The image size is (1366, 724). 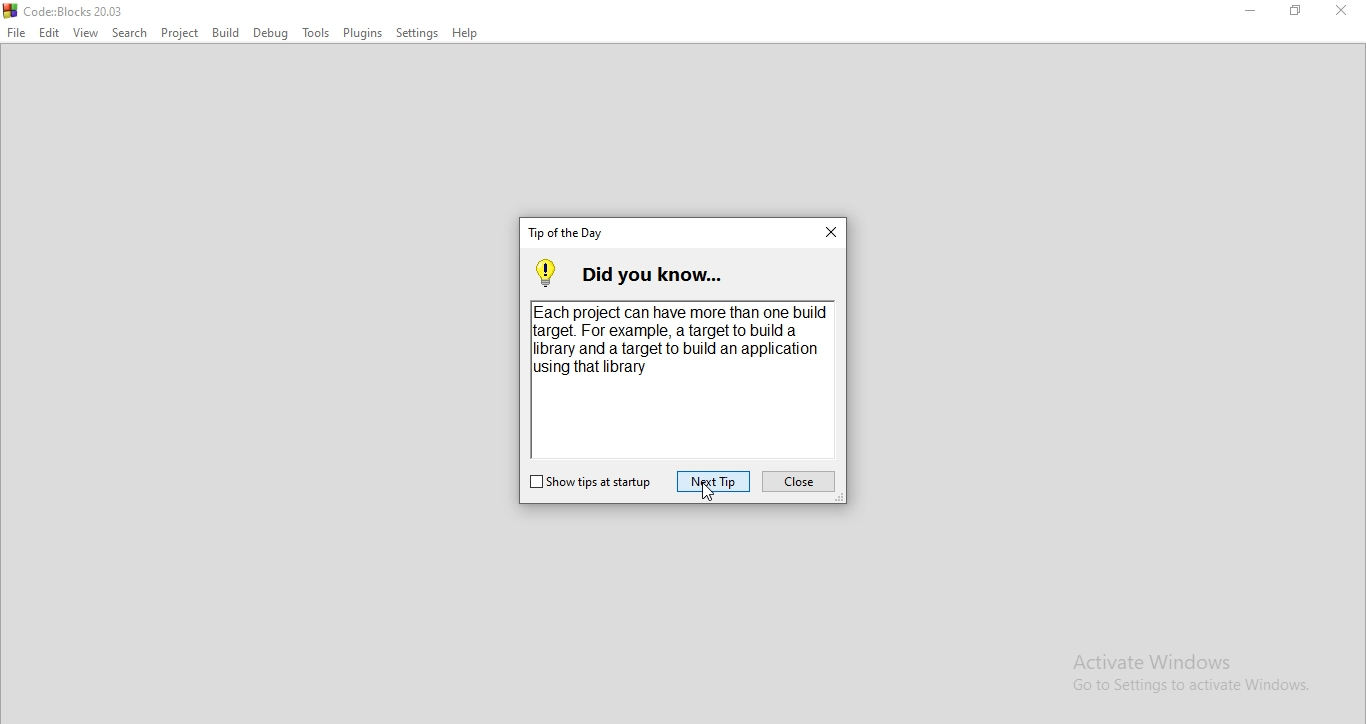 I want to click on close, so click(x=826, y=233).